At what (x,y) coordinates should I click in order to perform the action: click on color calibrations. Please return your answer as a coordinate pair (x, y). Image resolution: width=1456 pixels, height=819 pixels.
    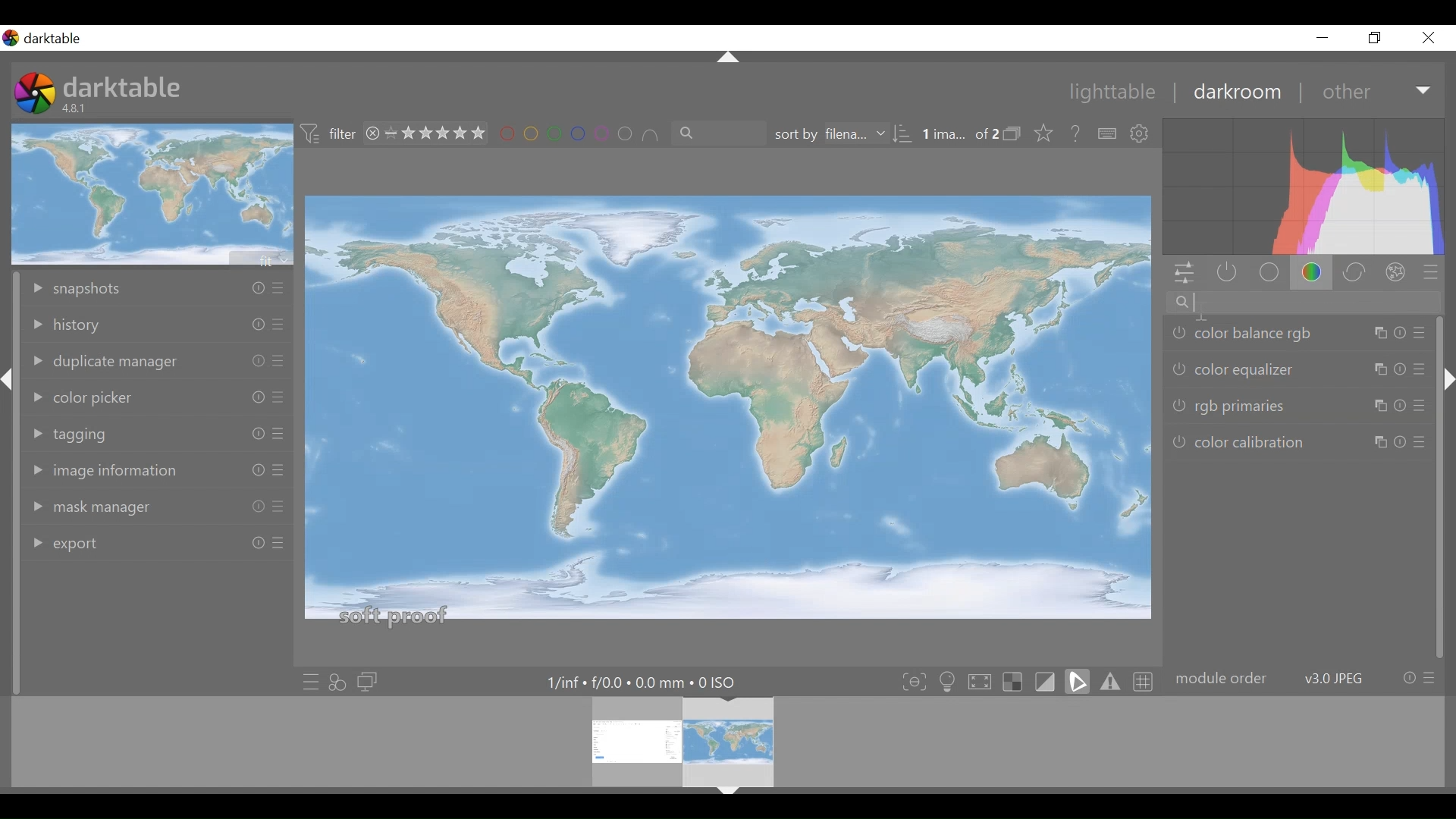
    Looking at the image, I should click on (1245, 441).